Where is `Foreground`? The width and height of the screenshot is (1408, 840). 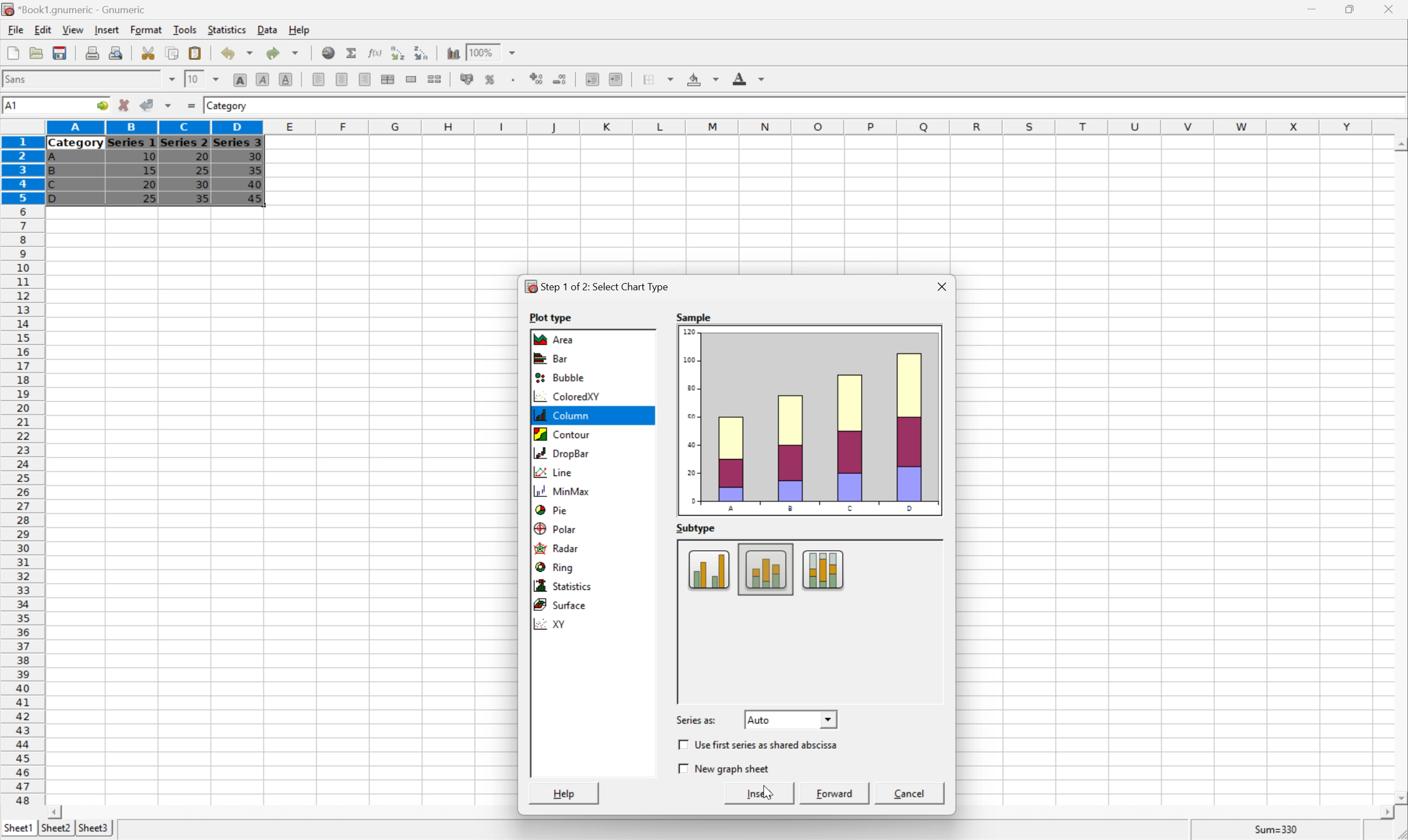
Foreground is located at coordinates (747, 77).